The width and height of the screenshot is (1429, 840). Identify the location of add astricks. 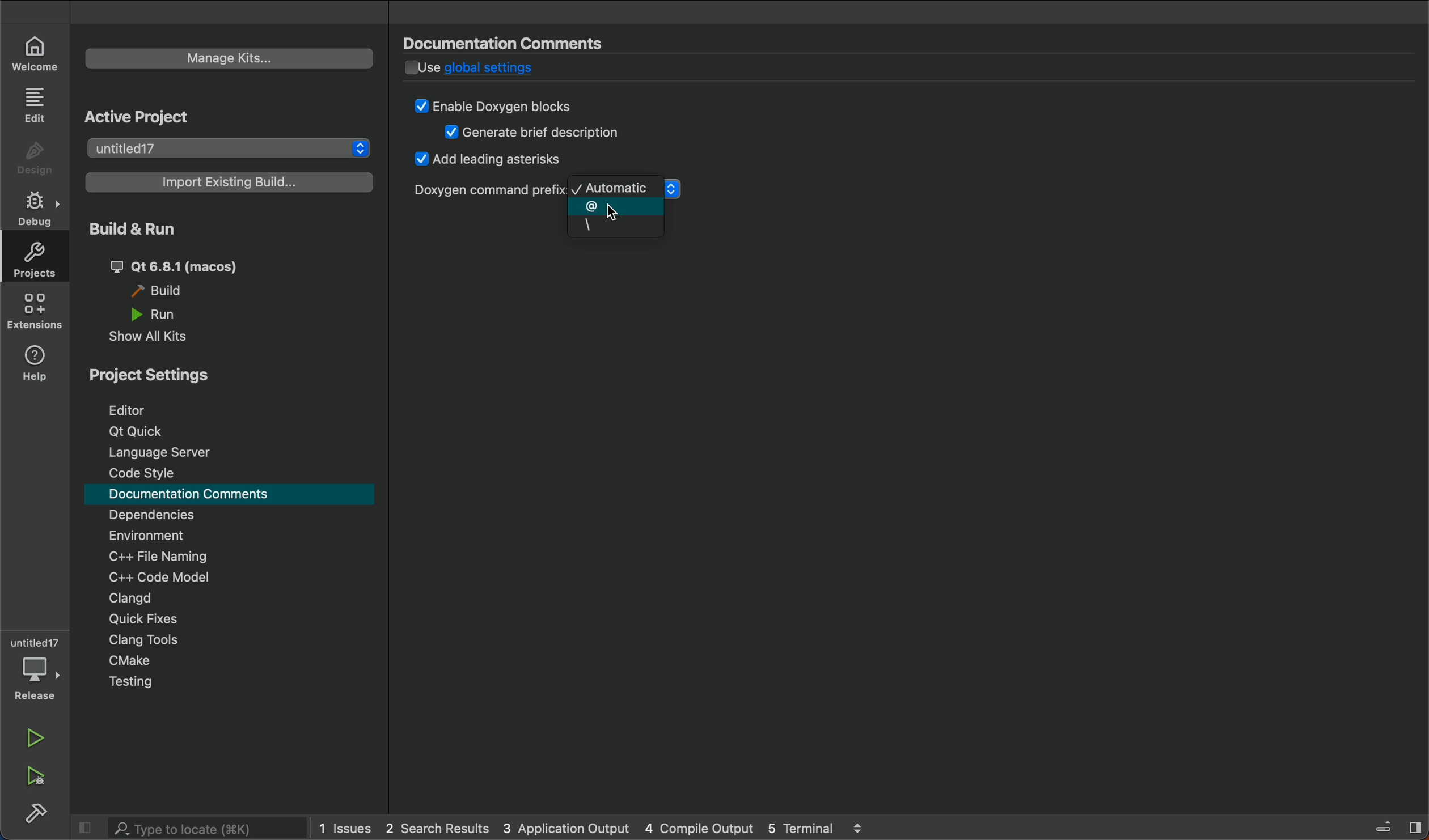
(490, 162).